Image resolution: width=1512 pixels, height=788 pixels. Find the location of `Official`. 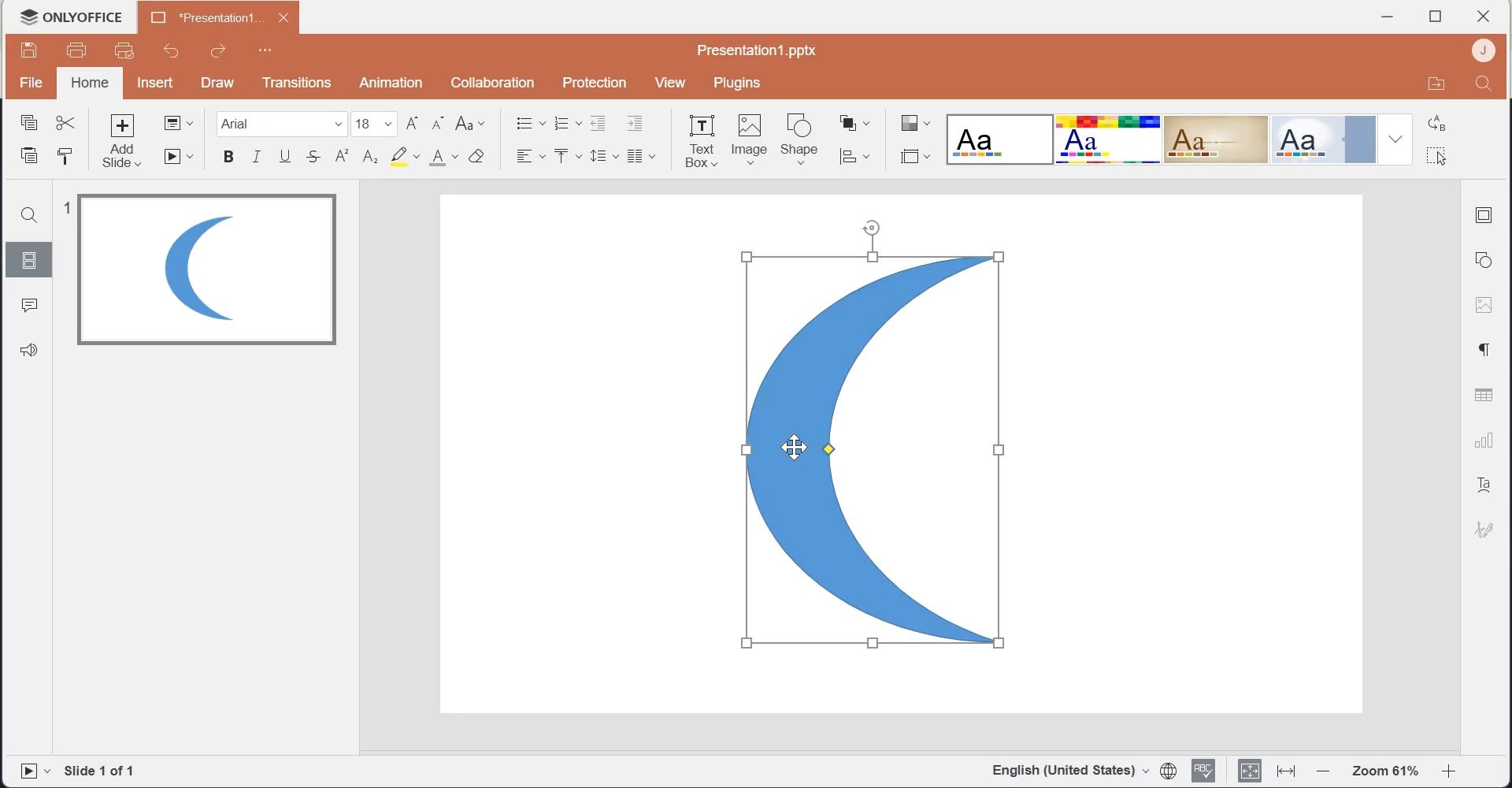

Official is located at coordinates (1323, 139).